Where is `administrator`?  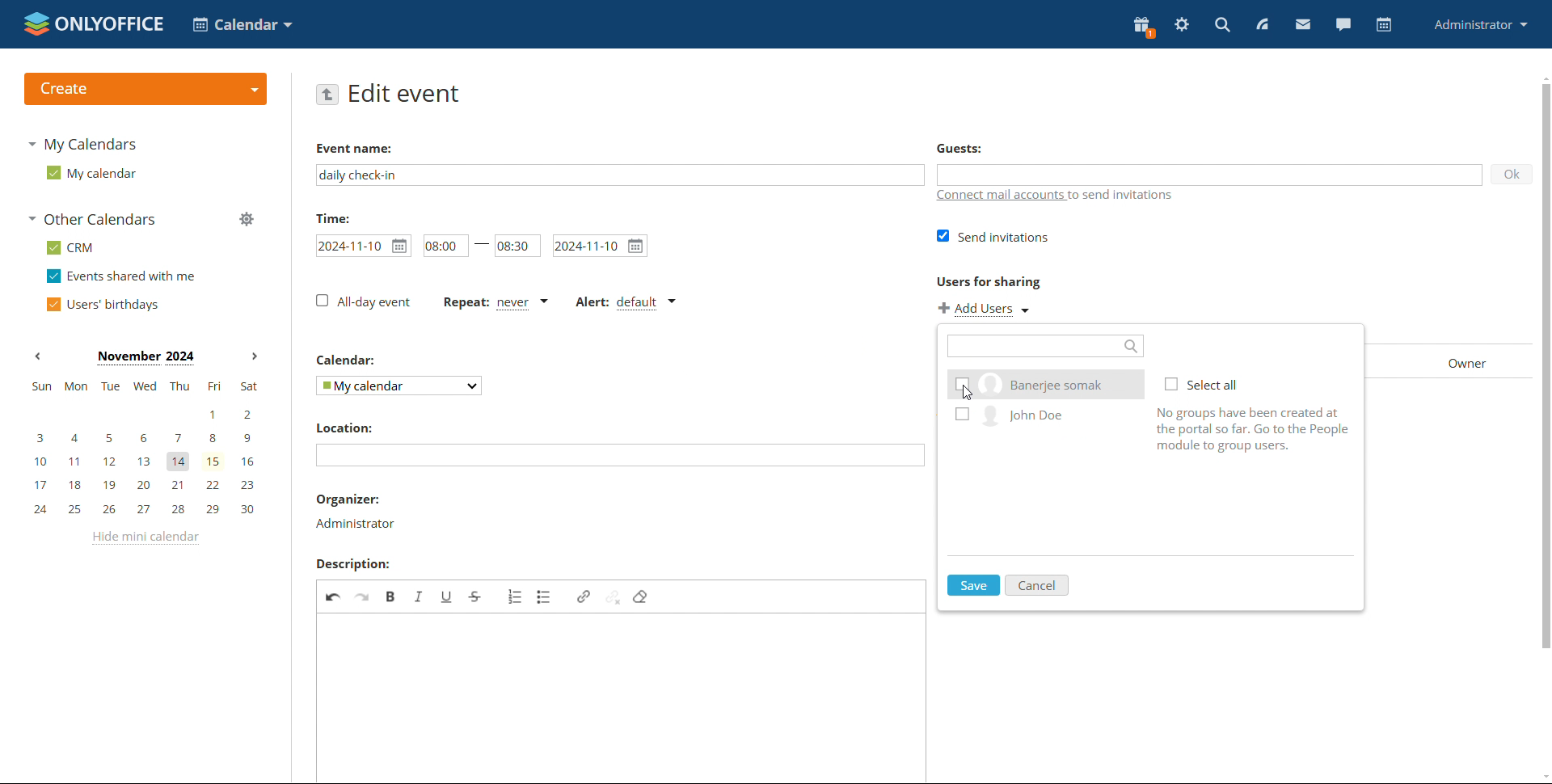
administrator is located at coordinates (354, 523).